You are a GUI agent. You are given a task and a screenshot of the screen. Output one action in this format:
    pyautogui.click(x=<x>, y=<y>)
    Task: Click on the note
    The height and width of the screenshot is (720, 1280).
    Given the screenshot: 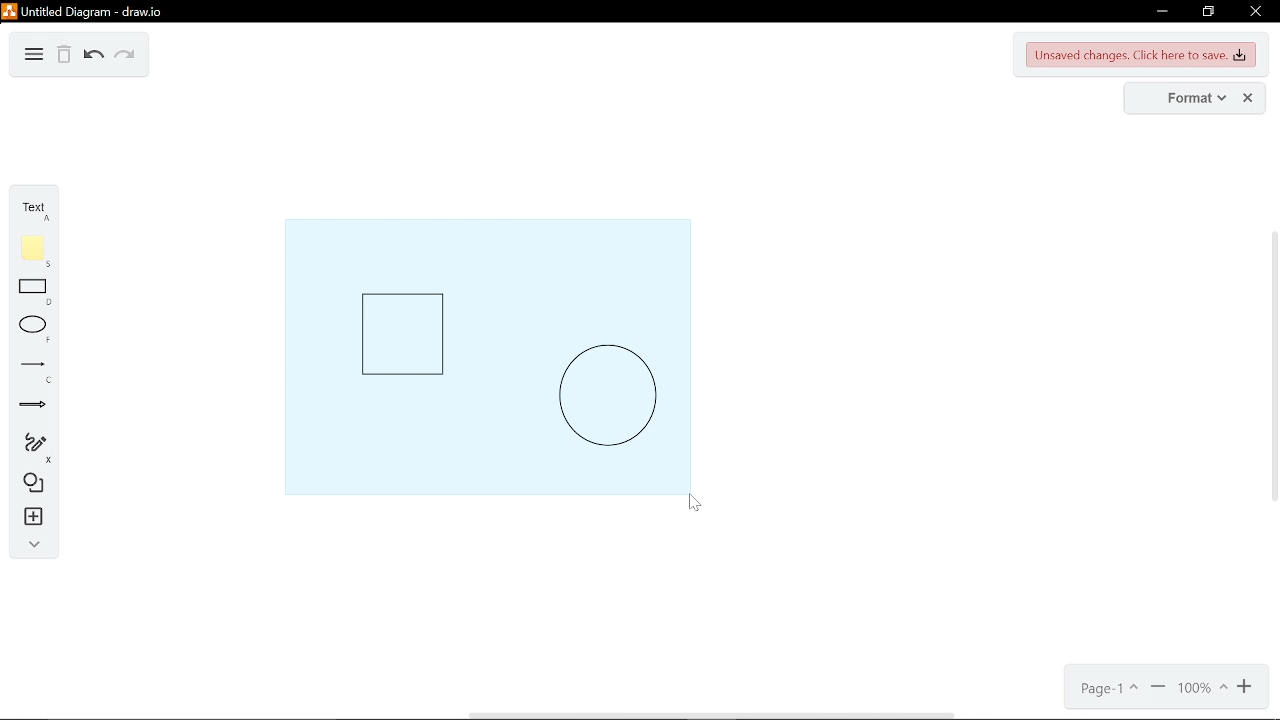 What is the action you would take?
    pyautogui.click(x=34, y=250)
    